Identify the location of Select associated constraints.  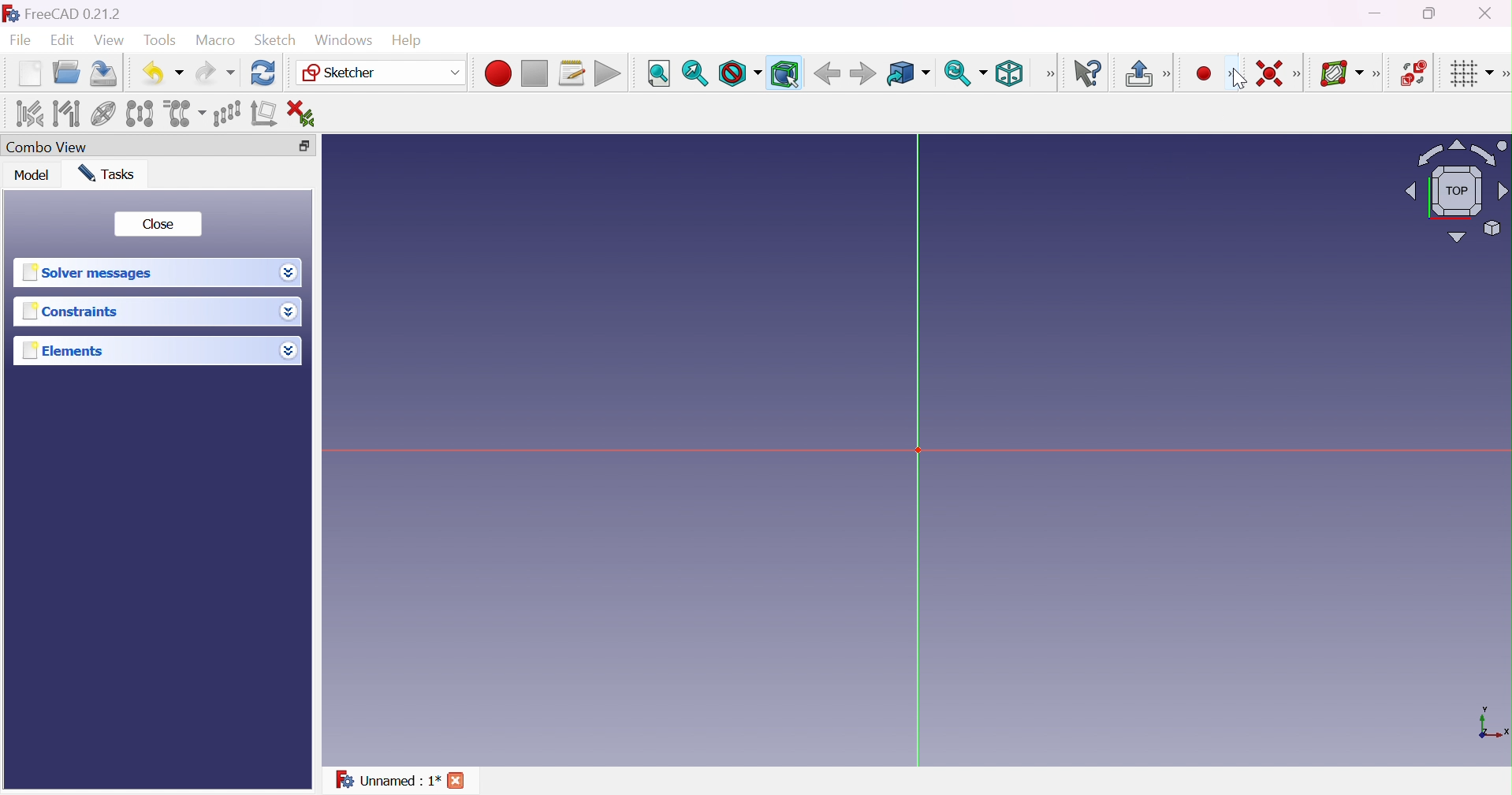
(28, 114).